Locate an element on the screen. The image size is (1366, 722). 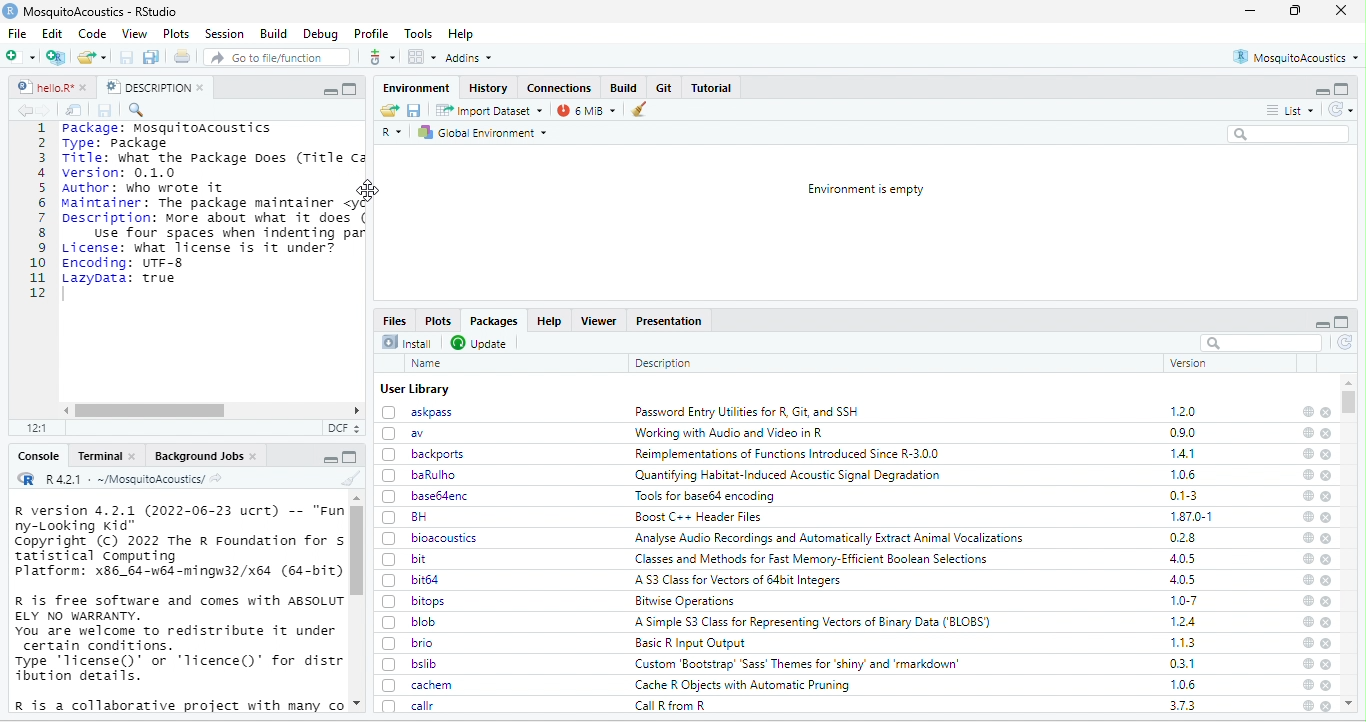
find is located at coordinates (139, 110).